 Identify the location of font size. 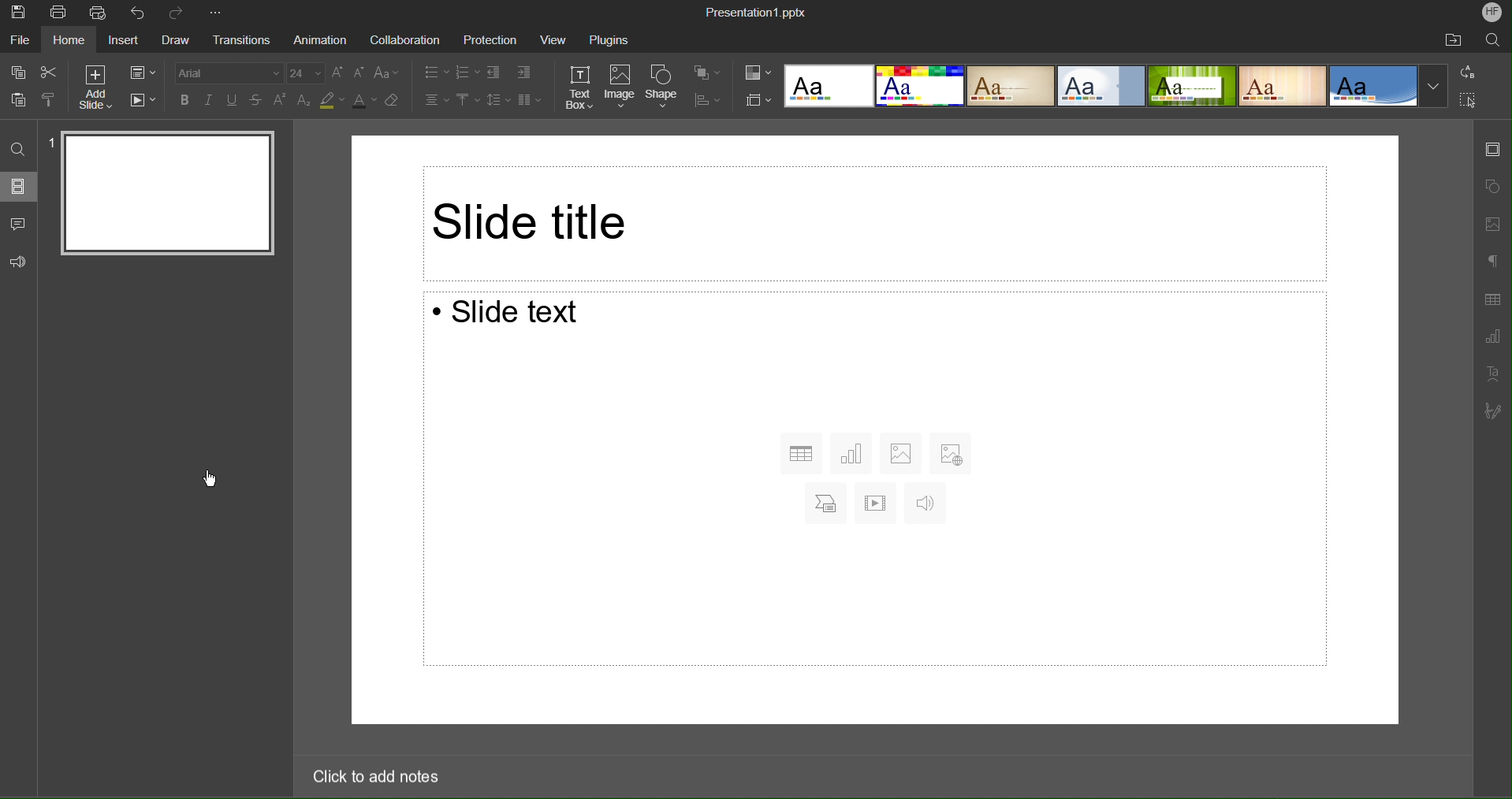
(305, 73).